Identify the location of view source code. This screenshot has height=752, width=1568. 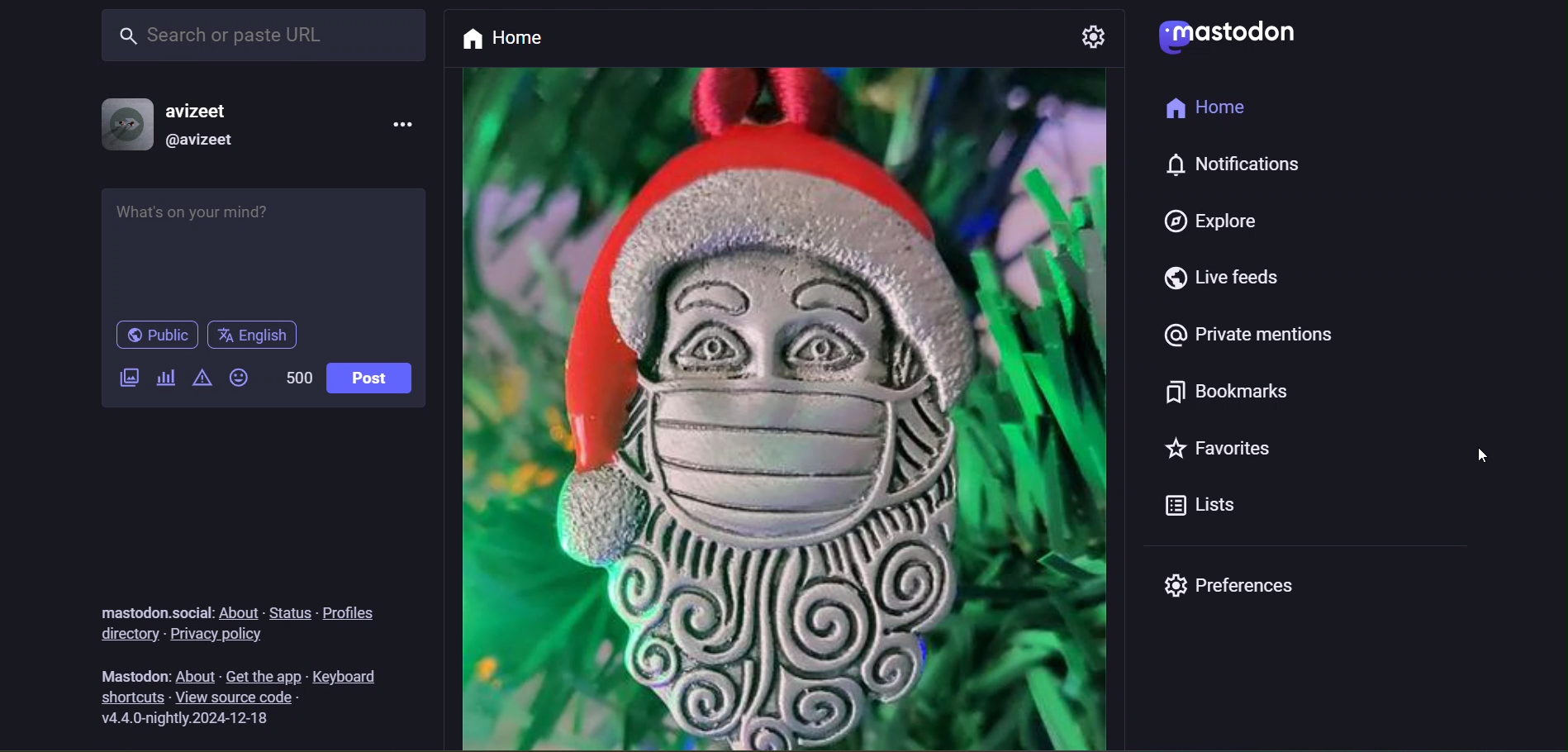
(273, 699).